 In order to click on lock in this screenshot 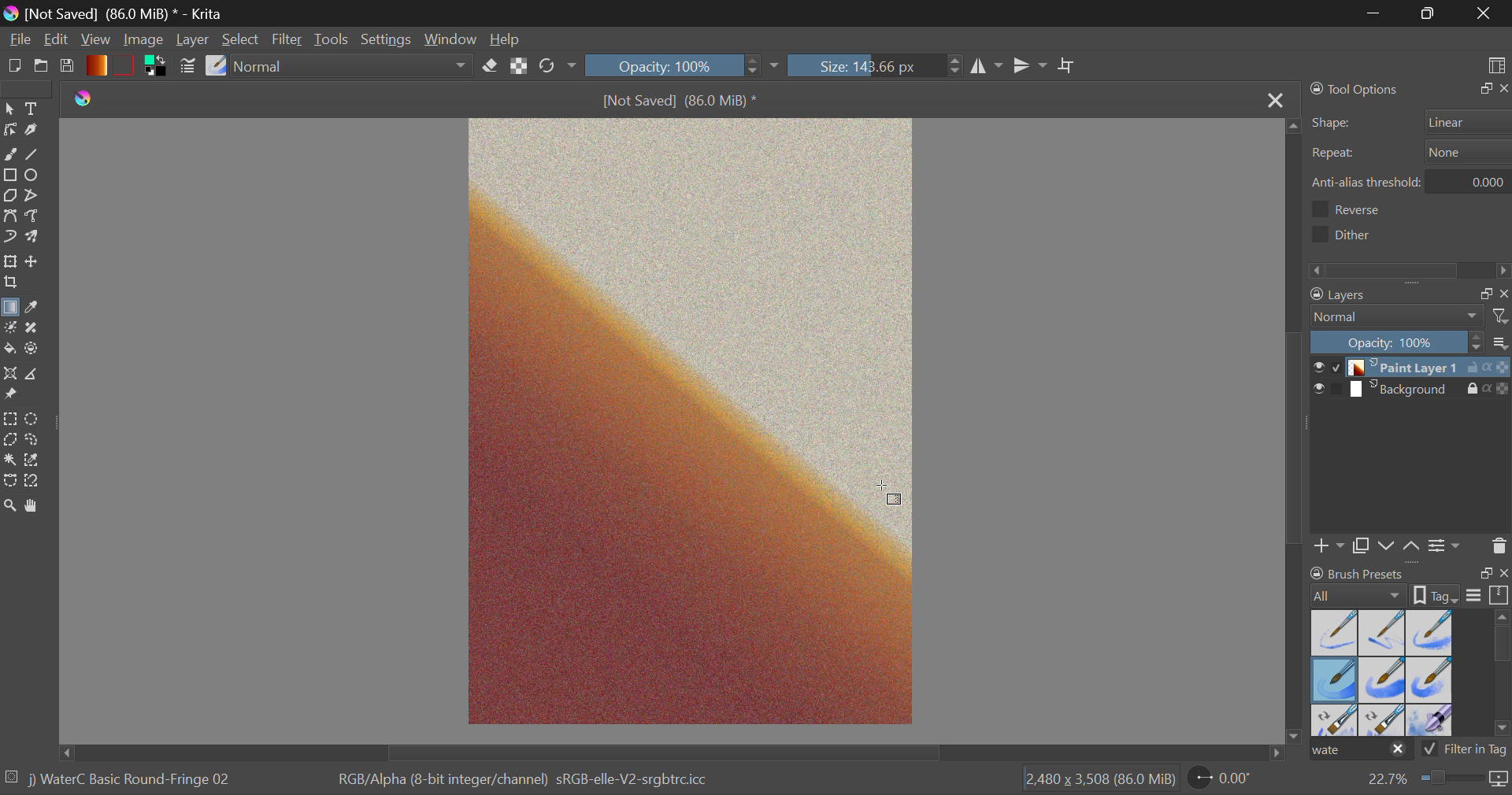, I will do `click(1475, 369)`.